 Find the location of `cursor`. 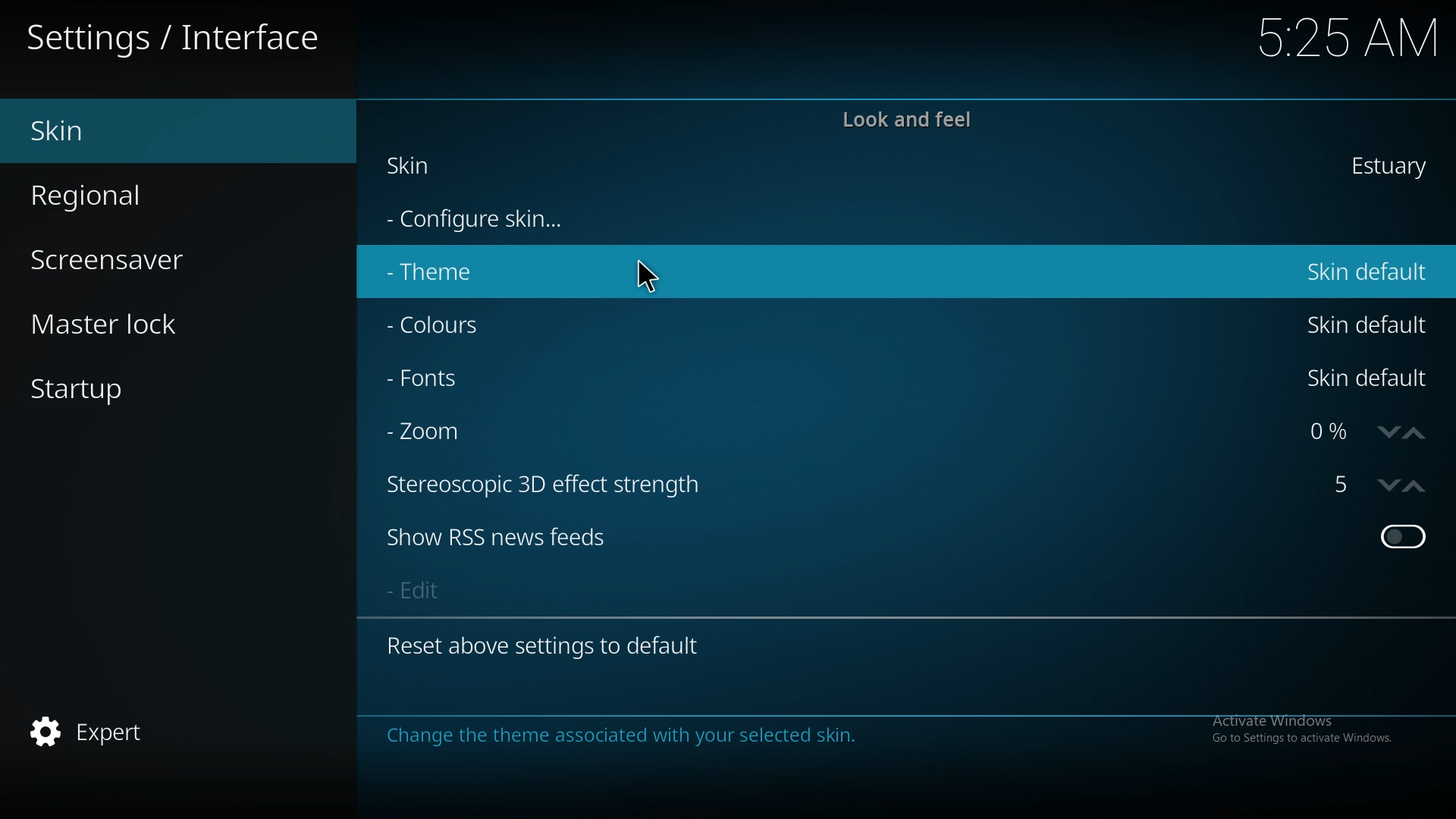

cursor is located at coordinates (651, 280).